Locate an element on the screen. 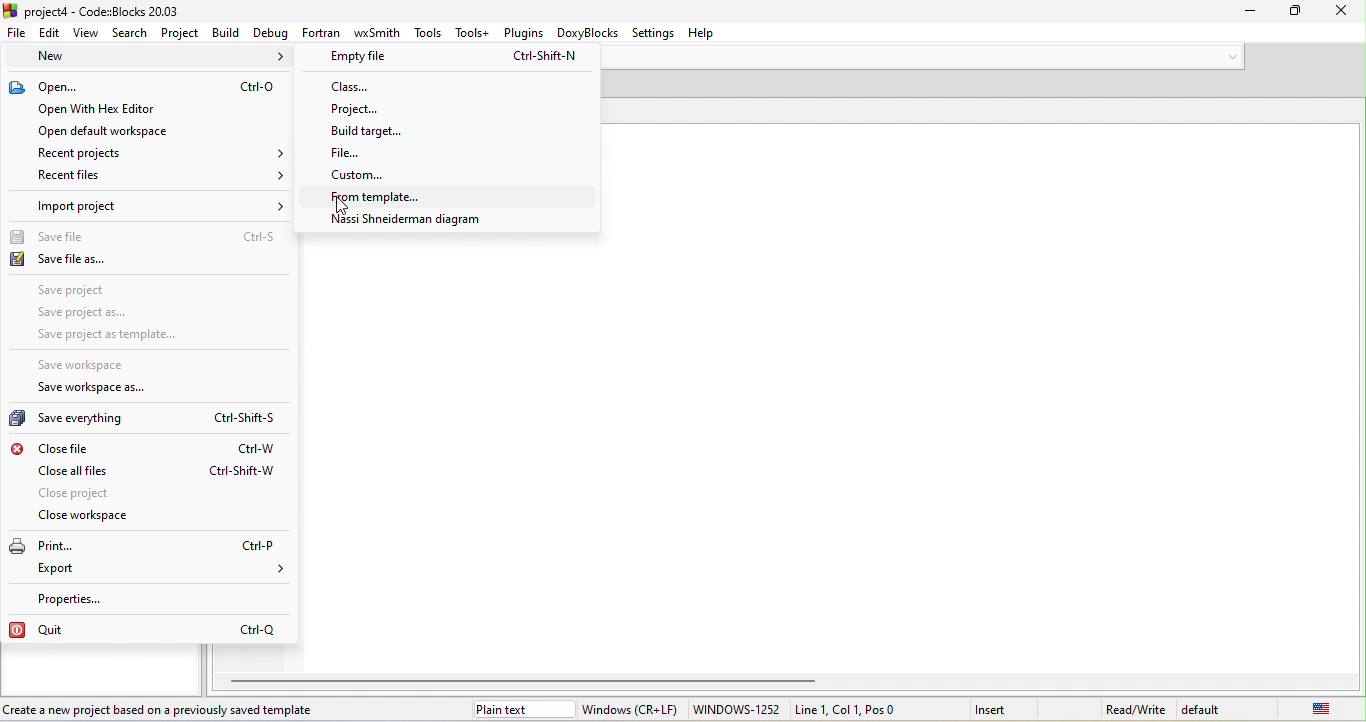  united state is located at coordinates (1307, 708).